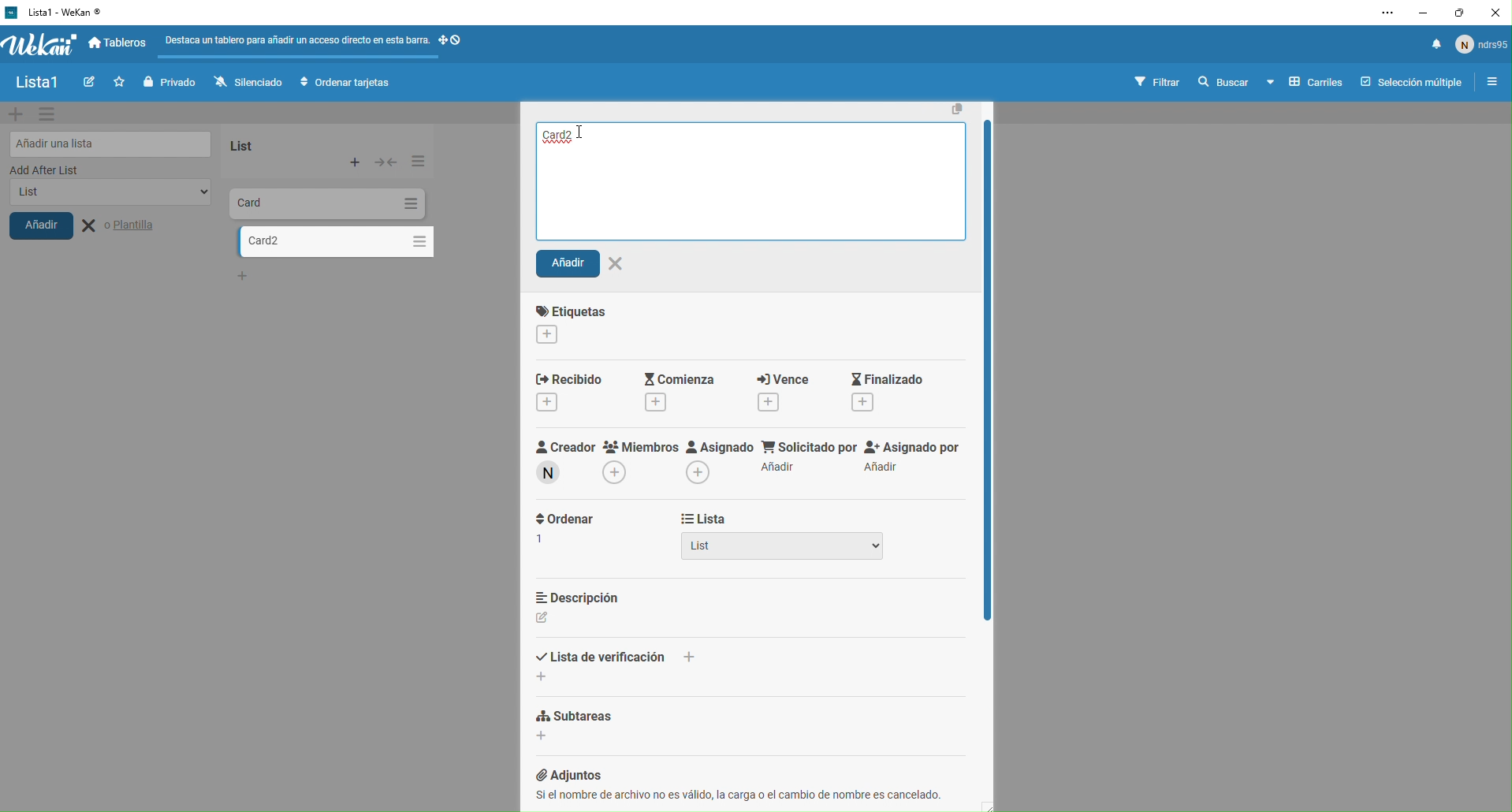 The height and width of the screenshot is (812, 1512). Describe the element at coordinates (265, 143) in the screenshot. I see `list` at that location.